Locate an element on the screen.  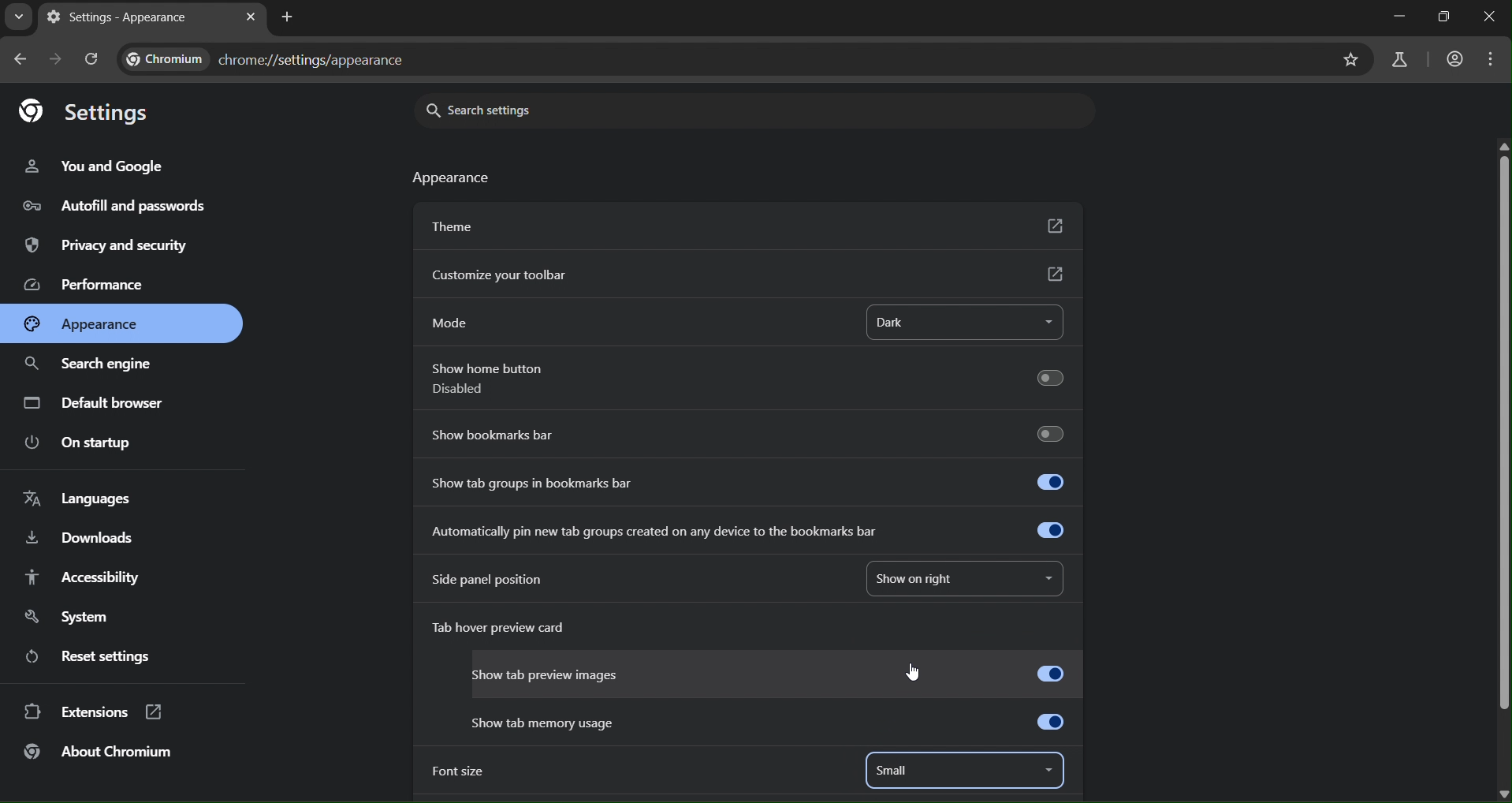
cursor is located at coordinates (918, 670).